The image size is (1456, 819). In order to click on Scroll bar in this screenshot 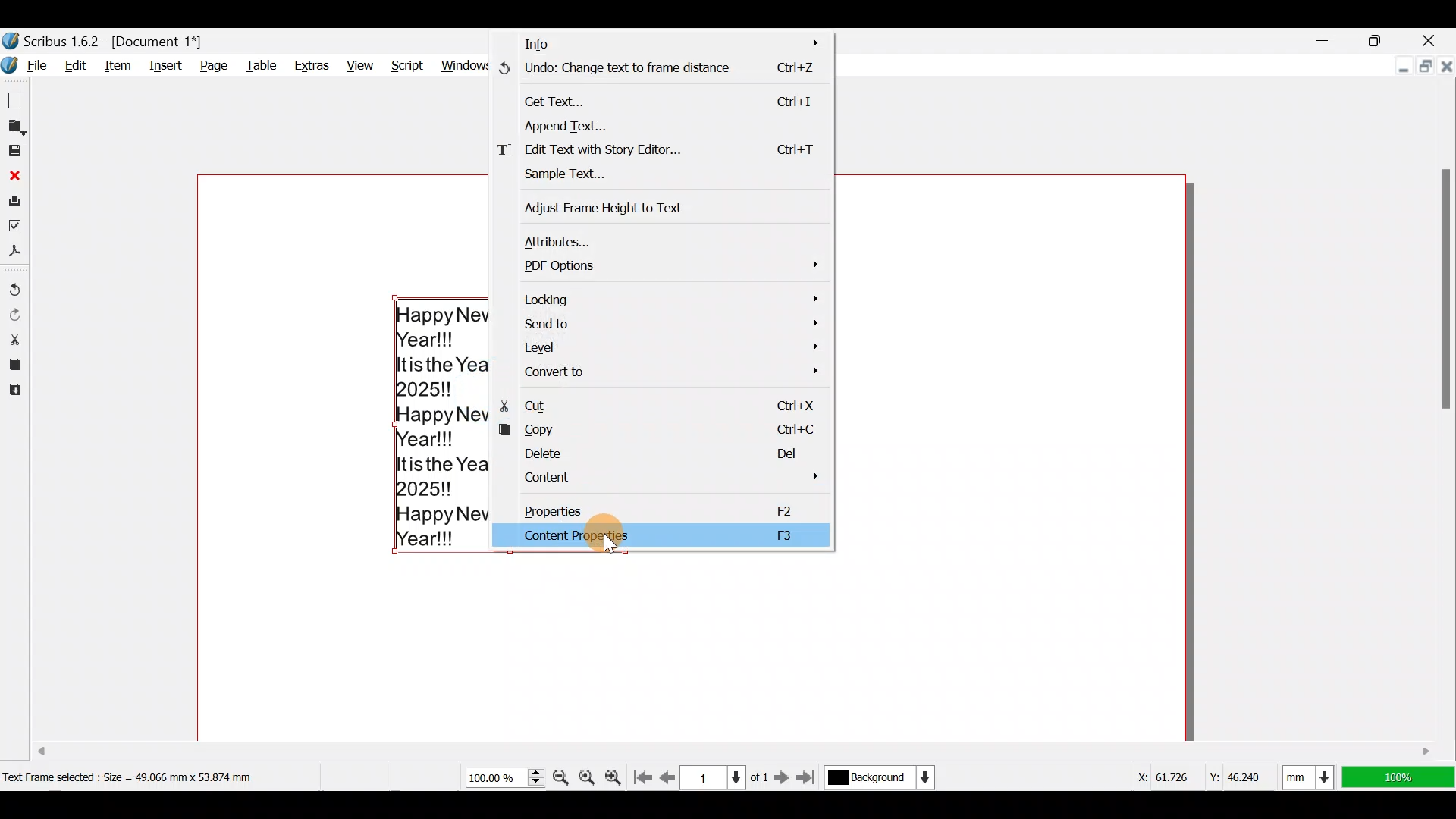, I will do `click(613, 746)`.